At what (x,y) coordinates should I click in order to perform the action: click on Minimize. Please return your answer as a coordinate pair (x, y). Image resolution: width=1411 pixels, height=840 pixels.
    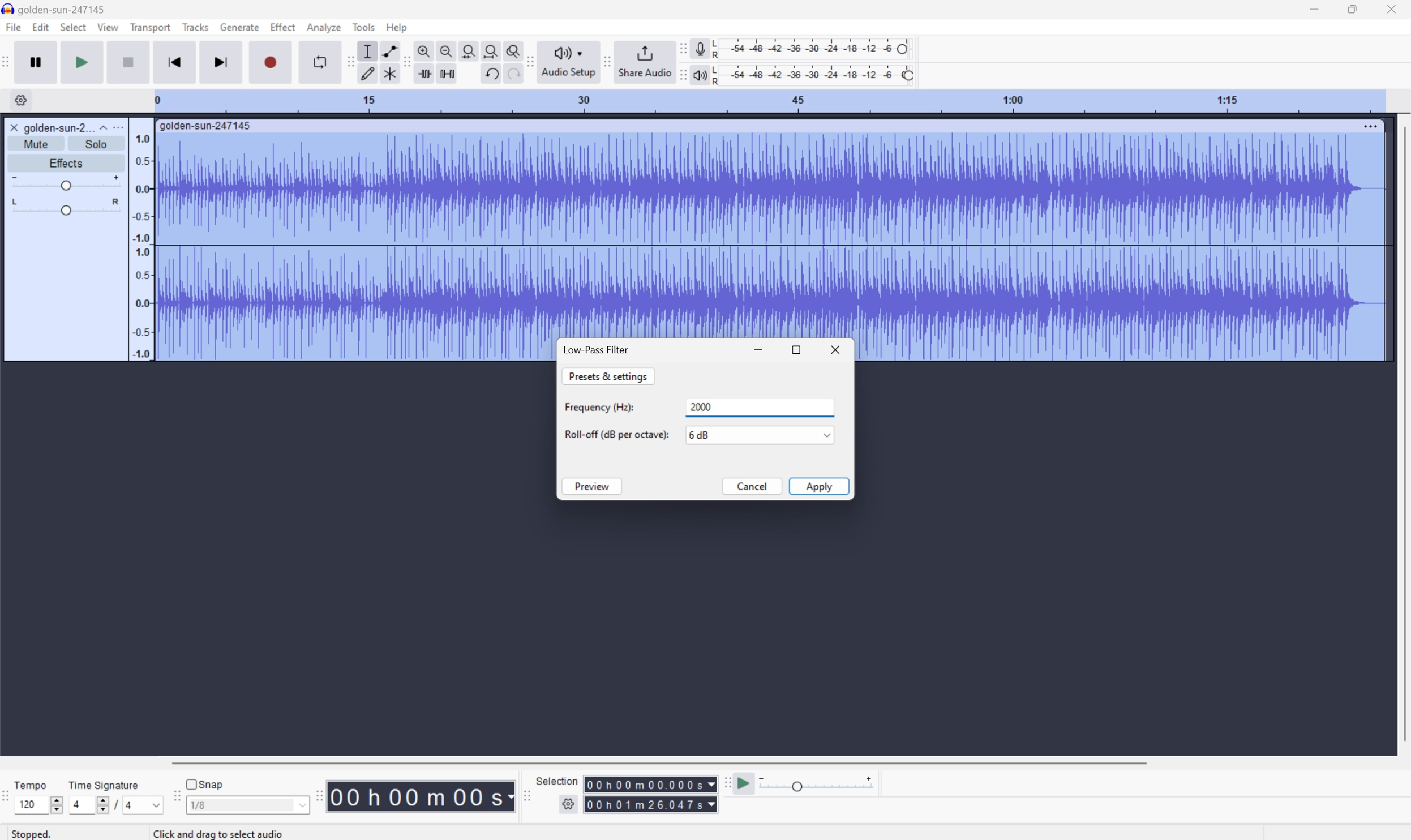
    Looking at the image, I should click on (1314, 8).